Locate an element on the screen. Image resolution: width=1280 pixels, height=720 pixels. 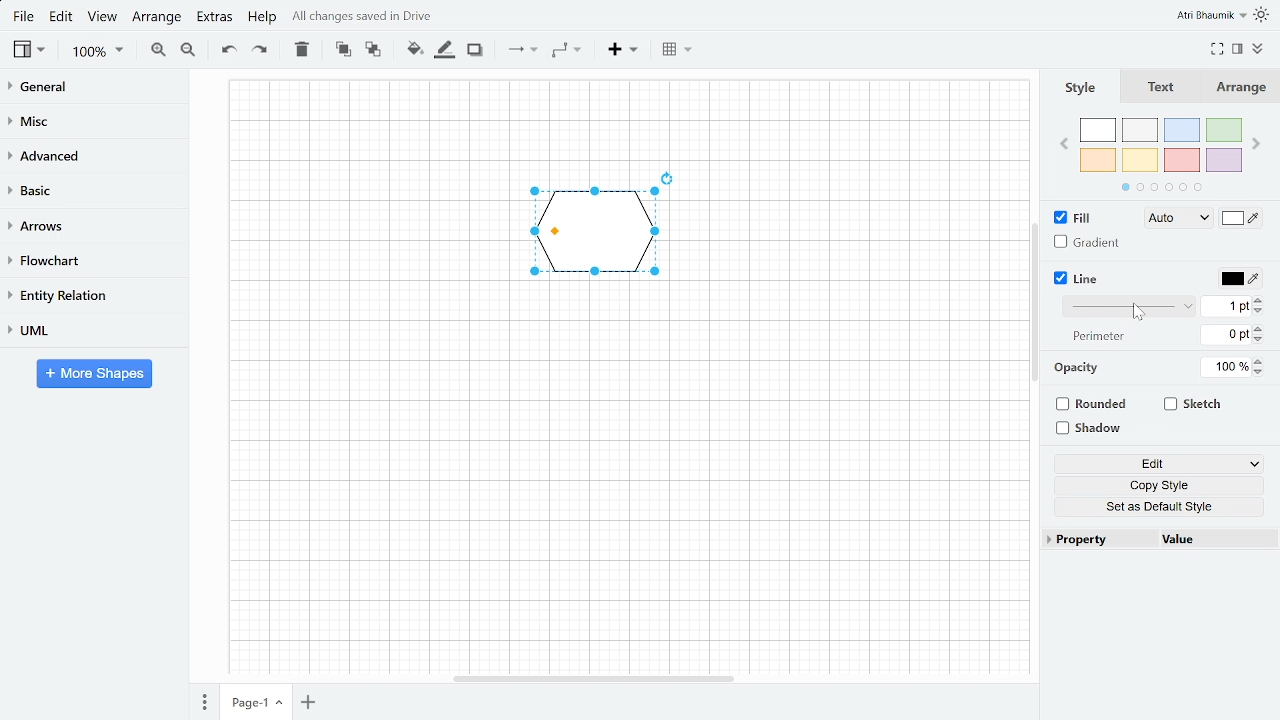
Shadow is located at coordinates (1087, 430).